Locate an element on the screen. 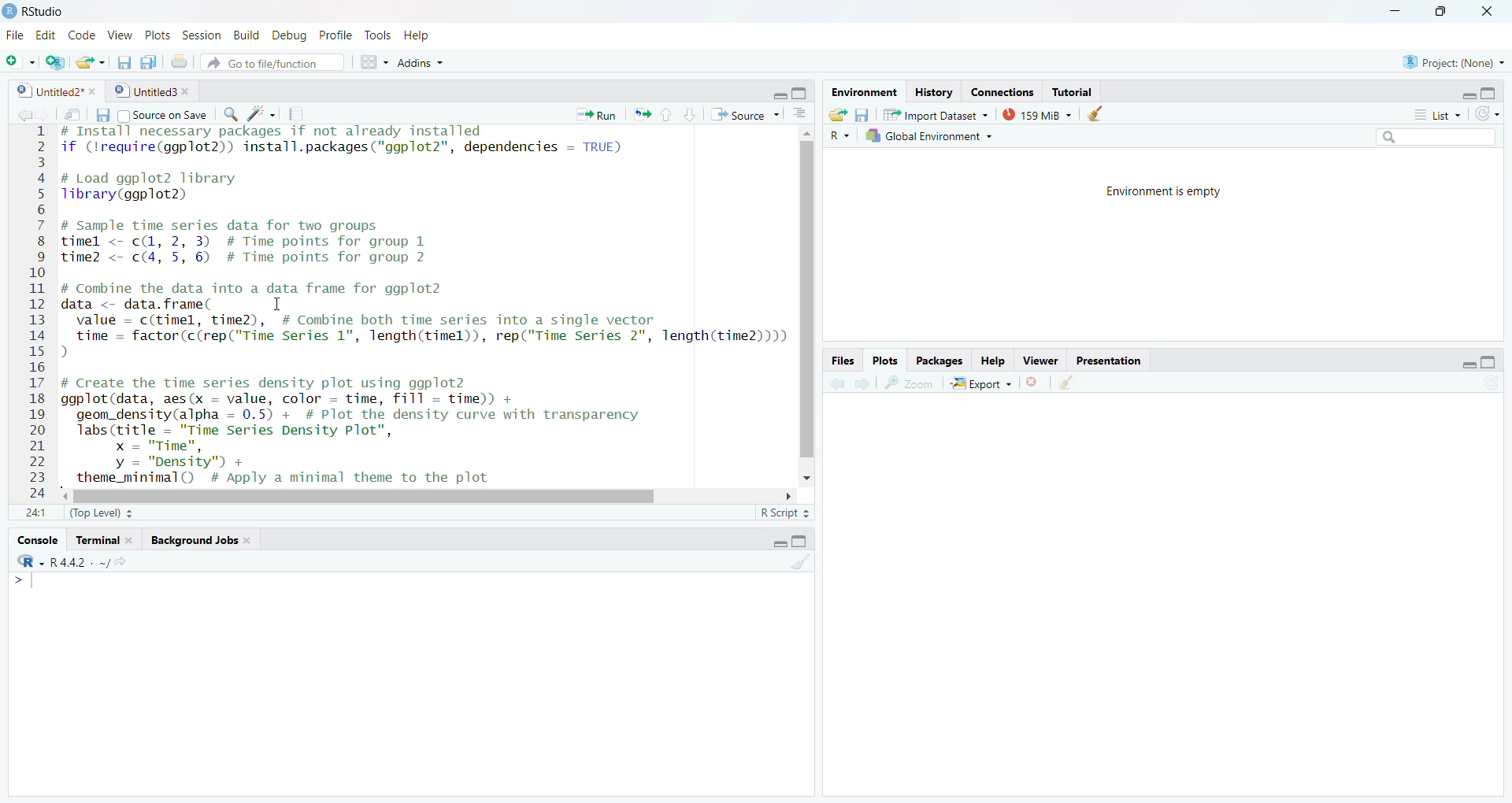  R is located at coordinates (28, 561).